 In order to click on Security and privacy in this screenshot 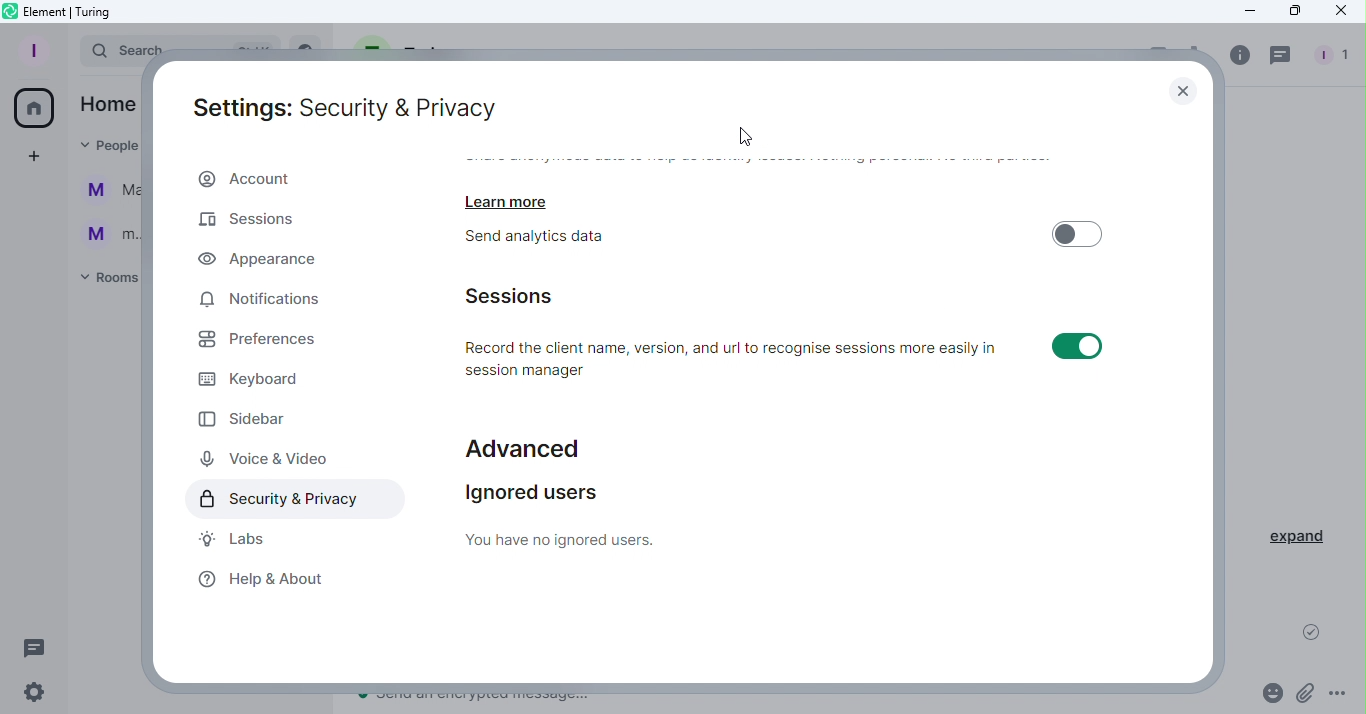, I will do `click(290, 498)`.